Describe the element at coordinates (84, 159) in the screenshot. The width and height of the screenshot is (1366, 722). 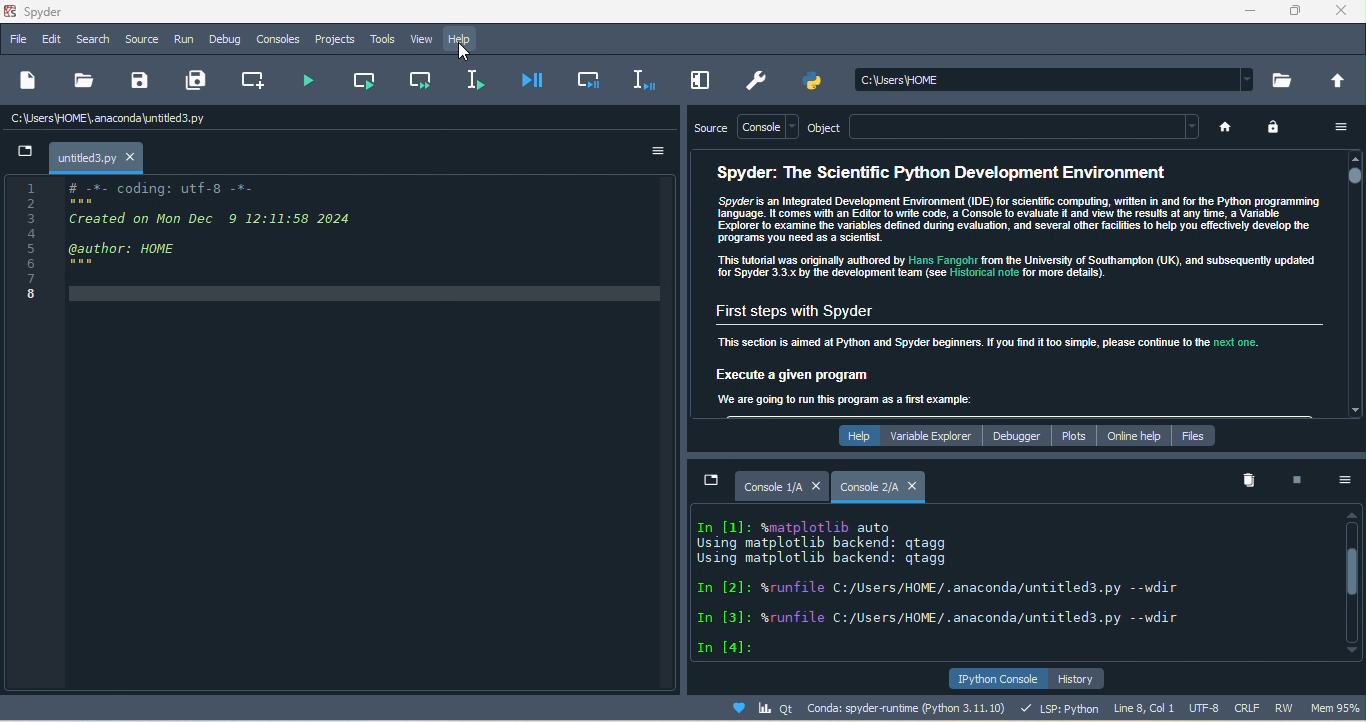
I see `untitled3.py` at that location.